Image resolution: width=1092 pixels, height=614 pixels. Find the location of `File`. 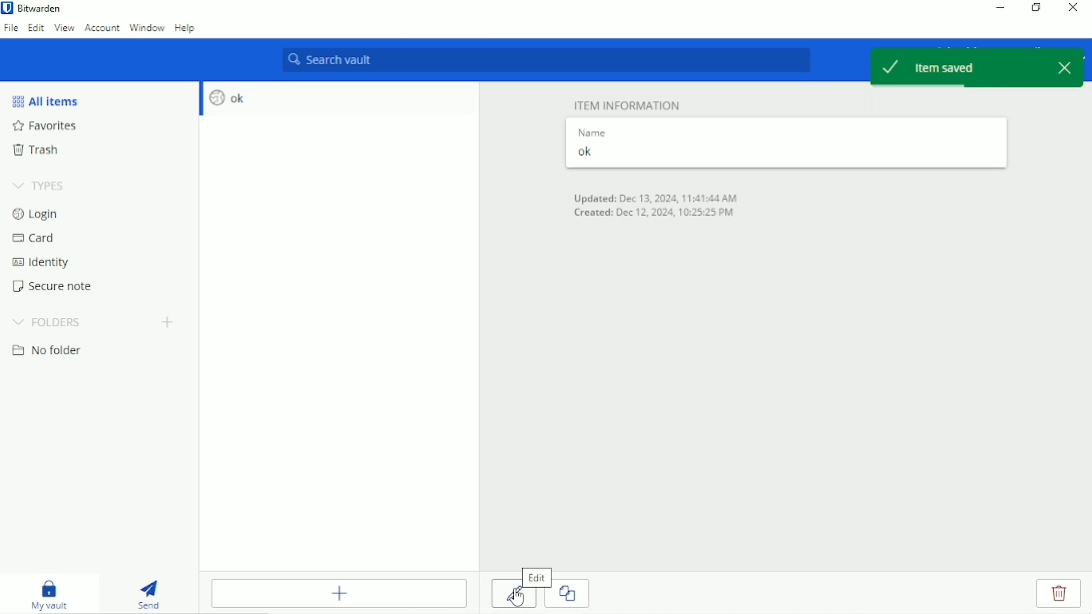

File is located at coordinates (11, 29).